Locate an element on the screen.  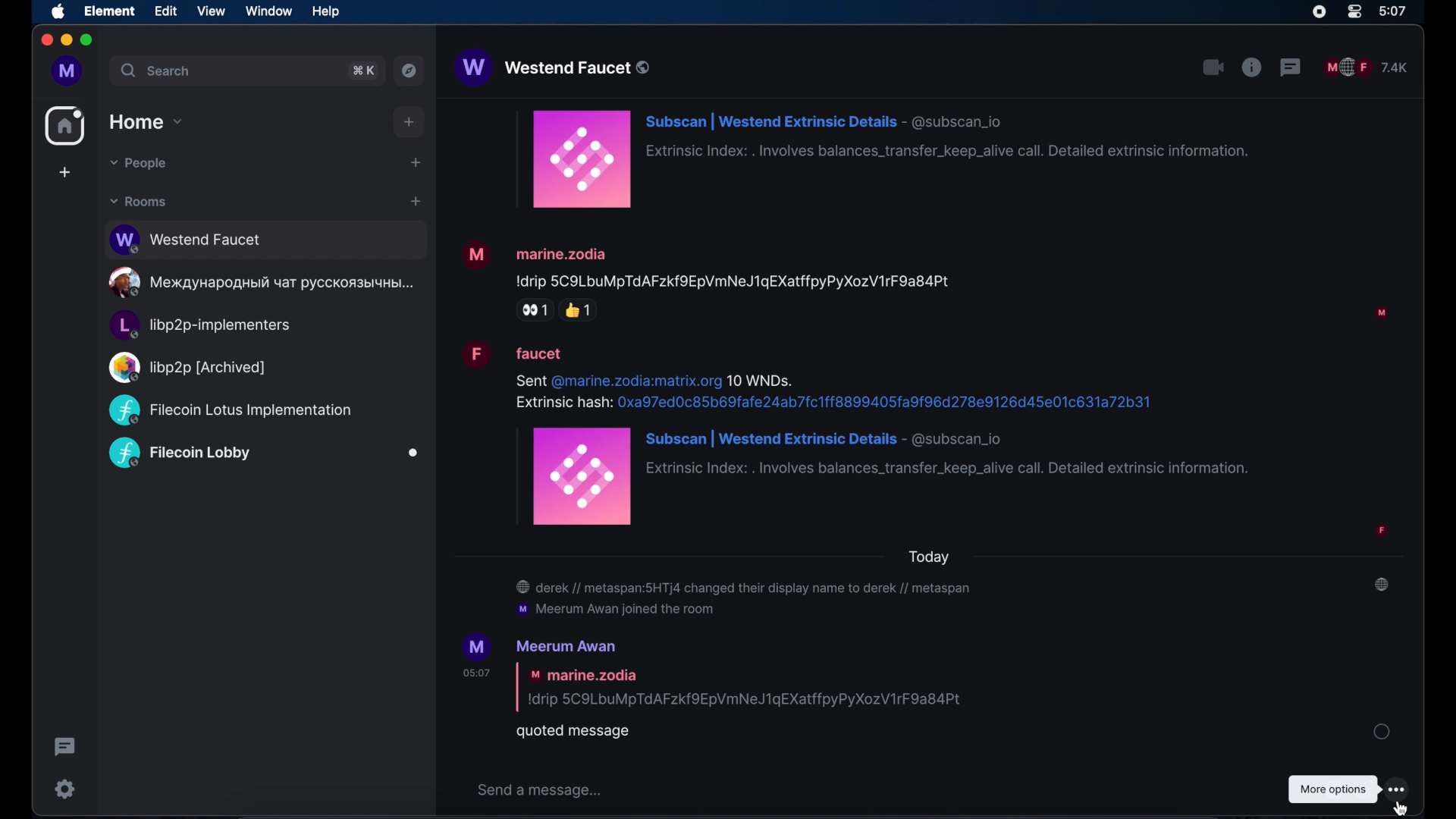
settings is located at coordinates (65, 789).